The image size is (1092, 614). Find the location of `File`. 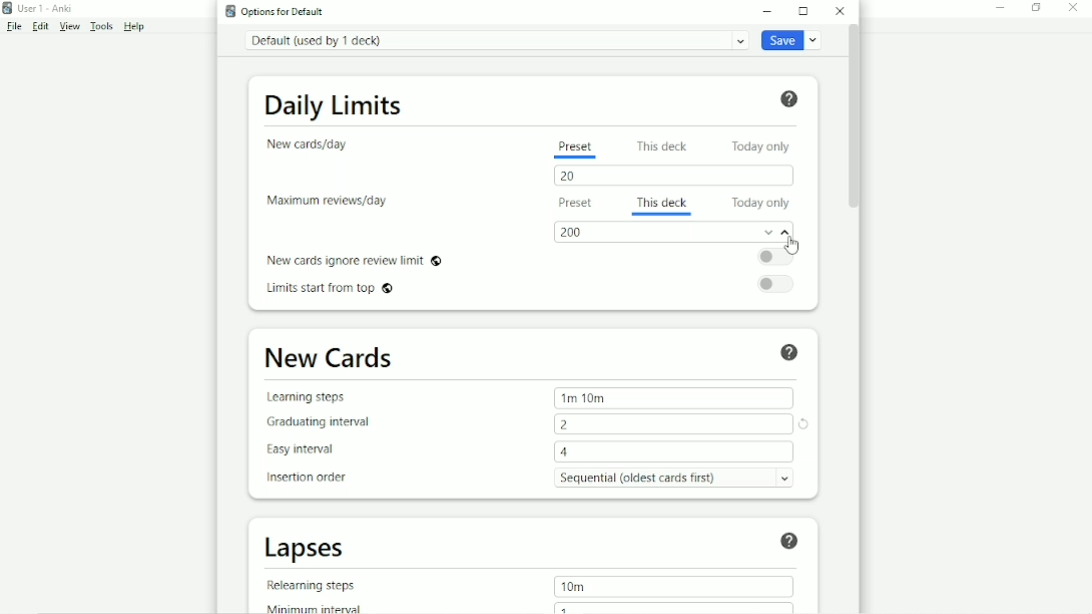

File is located at coordinates (13, 27).